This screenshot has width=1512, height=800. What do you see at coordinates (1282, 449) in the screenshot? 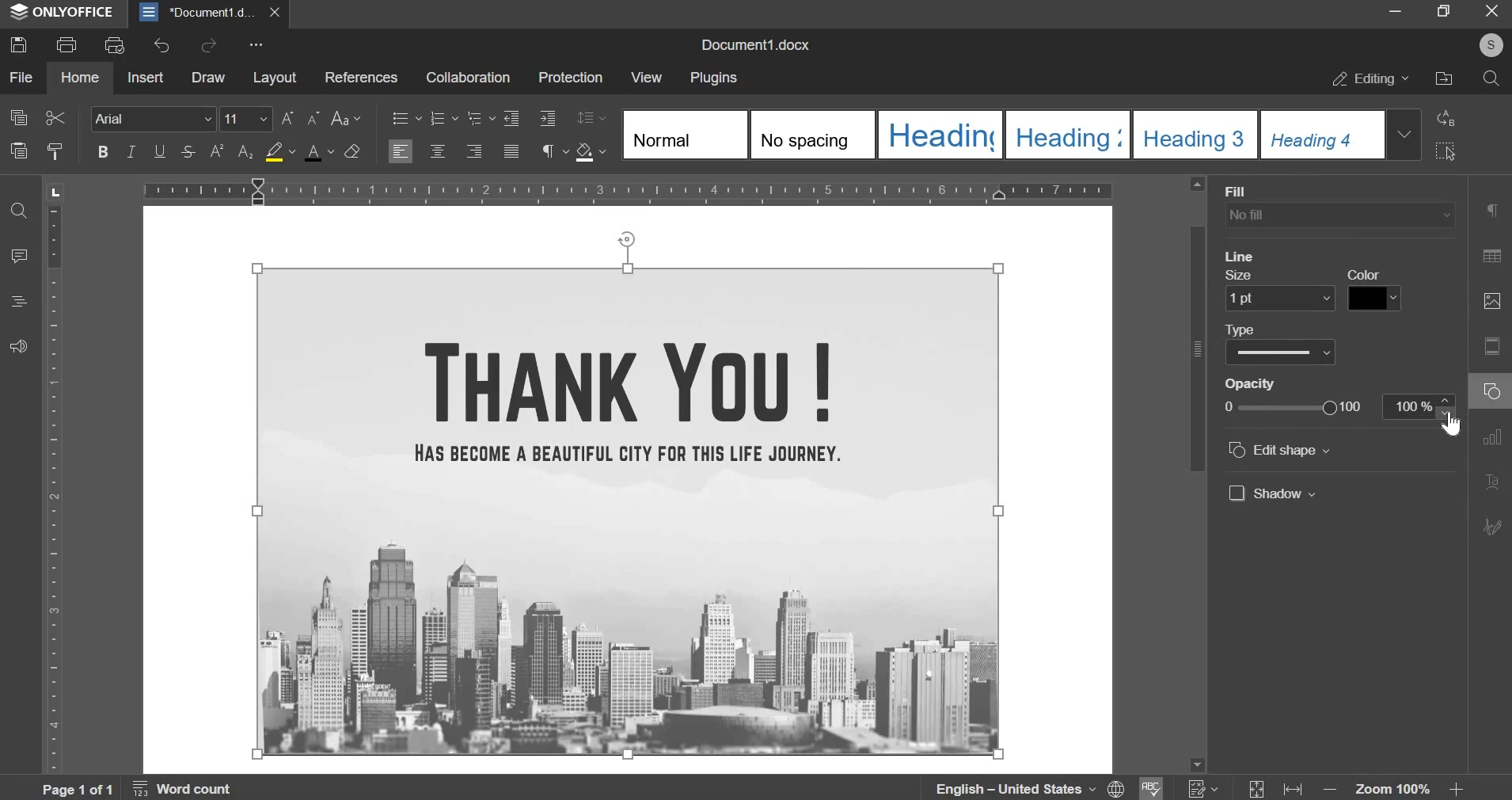
I see `Edit shape` at bounding box center [1282, 449].